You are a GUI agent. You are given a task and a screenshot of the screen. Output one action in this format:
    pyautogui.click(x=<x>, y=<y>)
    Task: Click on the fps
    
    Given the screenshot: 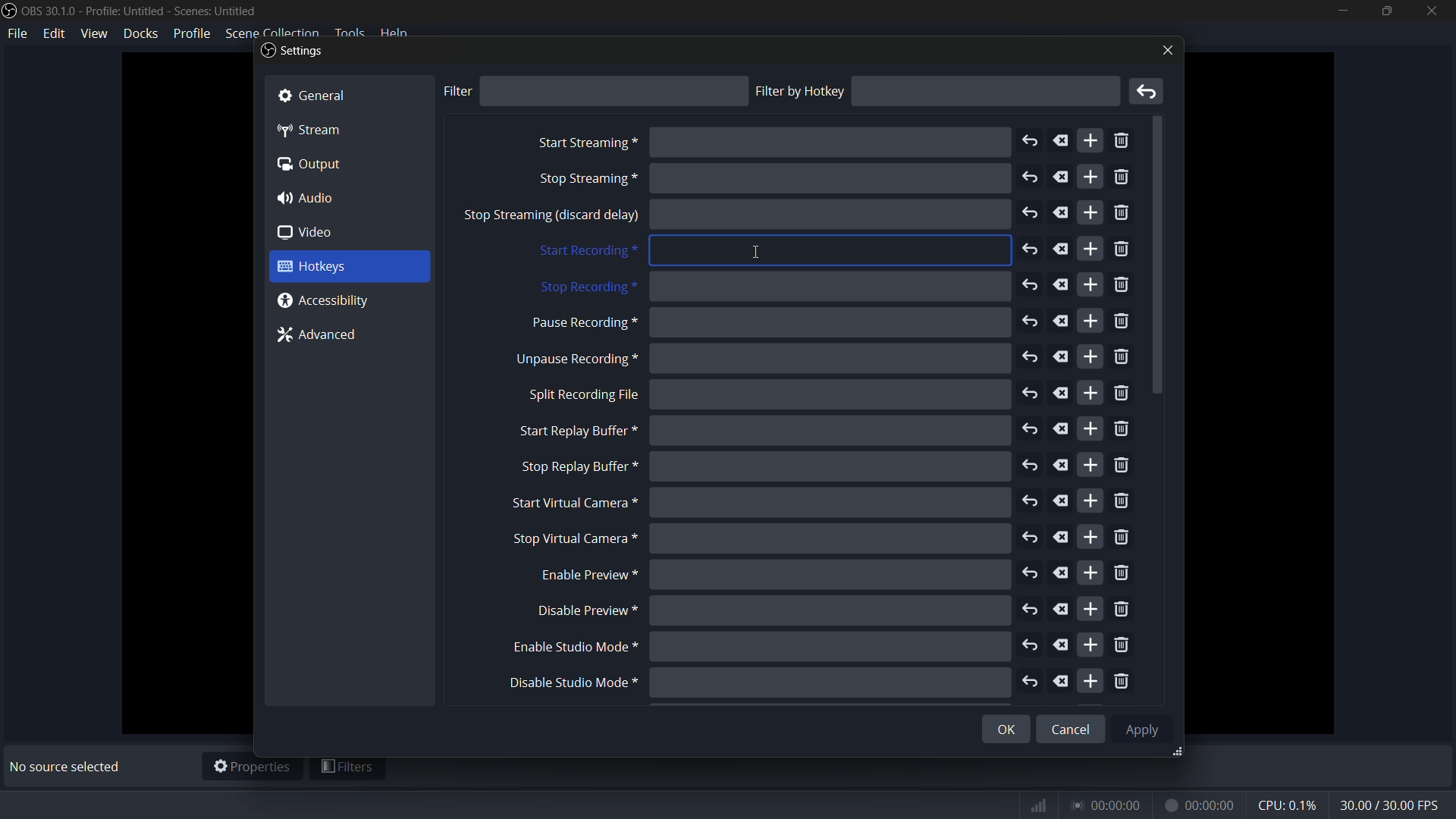 What is the action you would take?
    pyautogui.click(x=1391, y=806)
    